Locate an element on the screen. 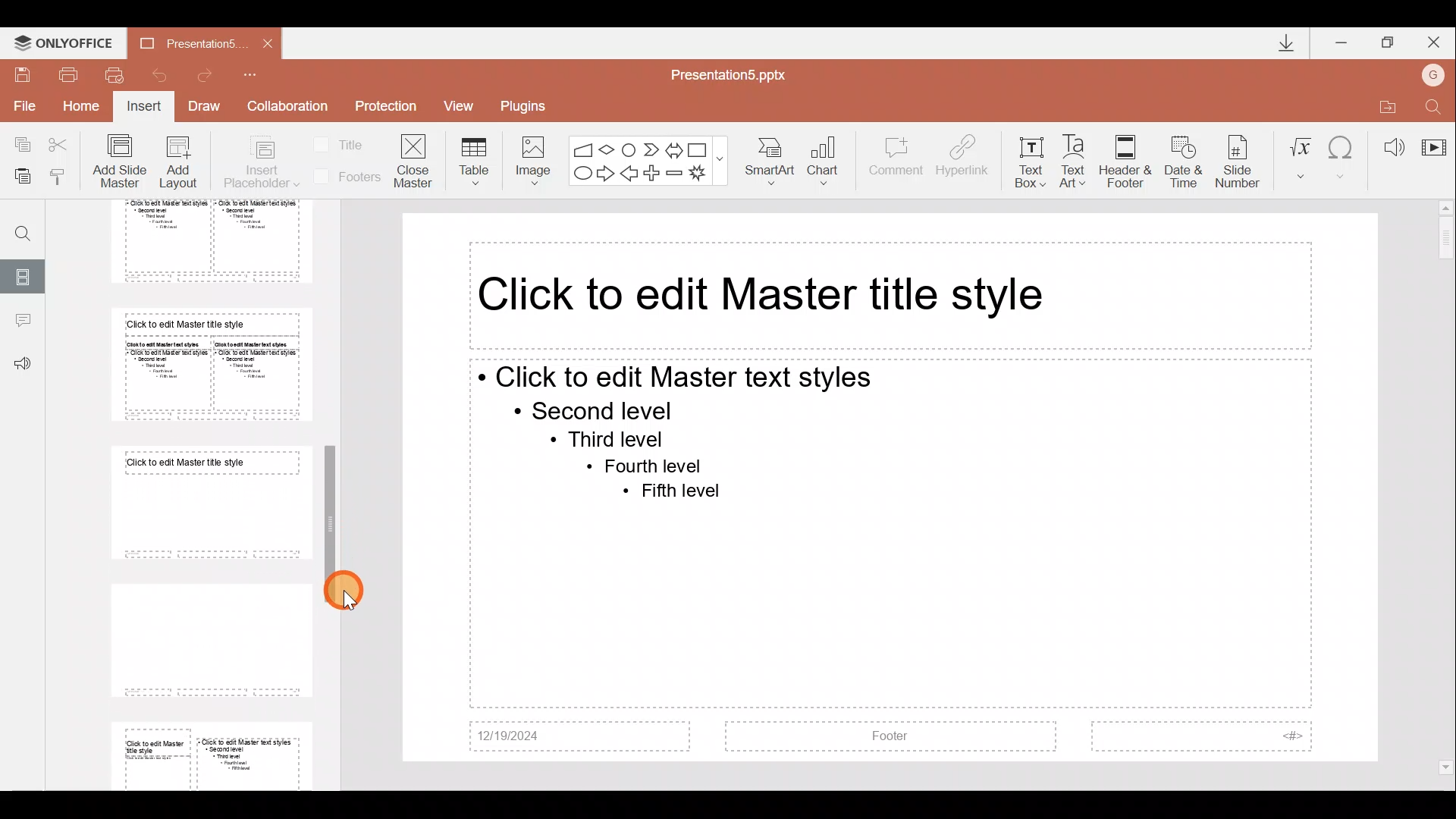  Slide 9 is located at coordinates (215, 753).